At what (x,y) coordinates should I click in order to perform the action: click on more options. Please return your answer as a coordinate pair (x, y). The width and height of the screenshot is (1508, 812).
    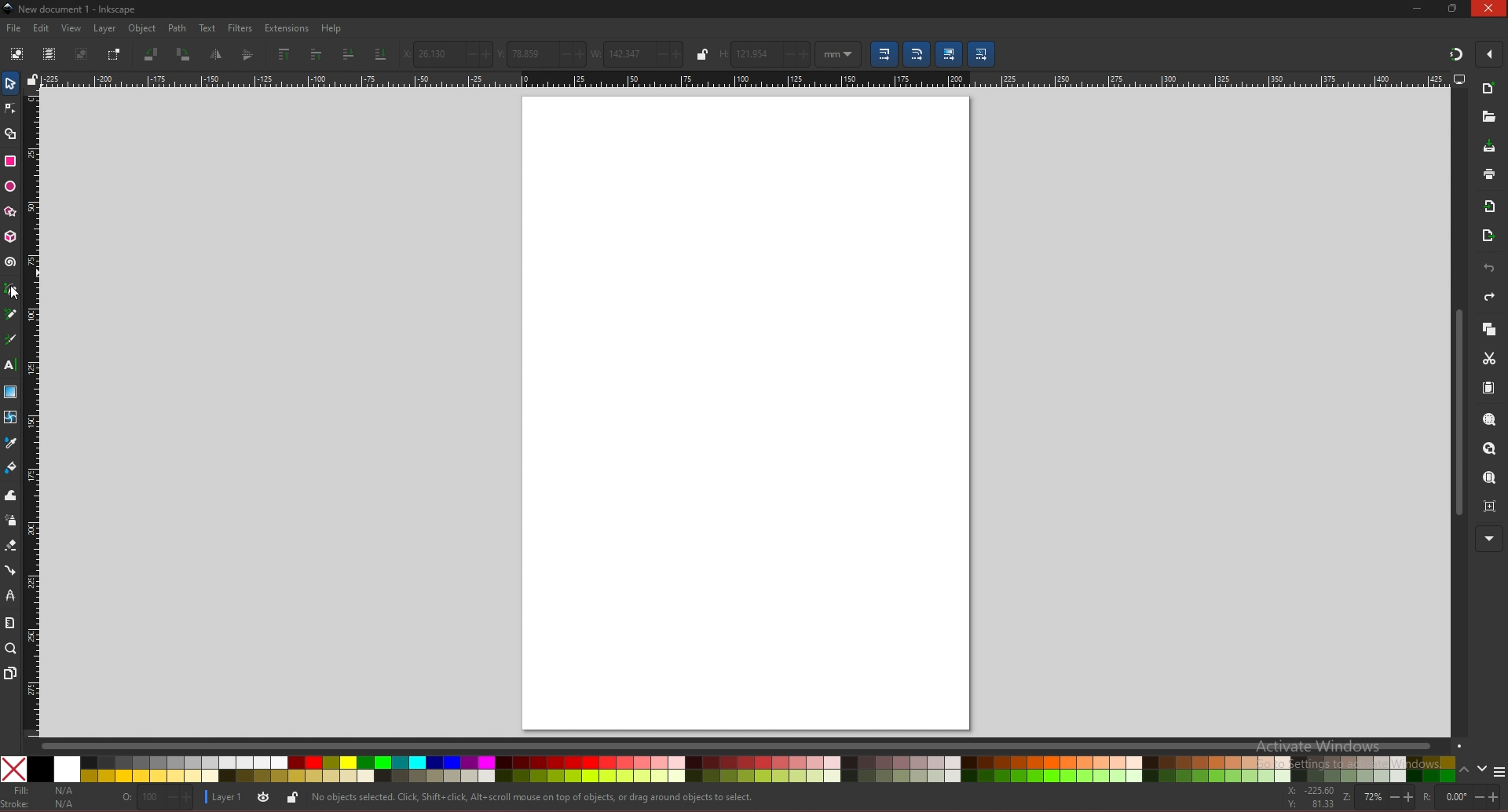
    Looking at the image, I should click on (1499, 772).